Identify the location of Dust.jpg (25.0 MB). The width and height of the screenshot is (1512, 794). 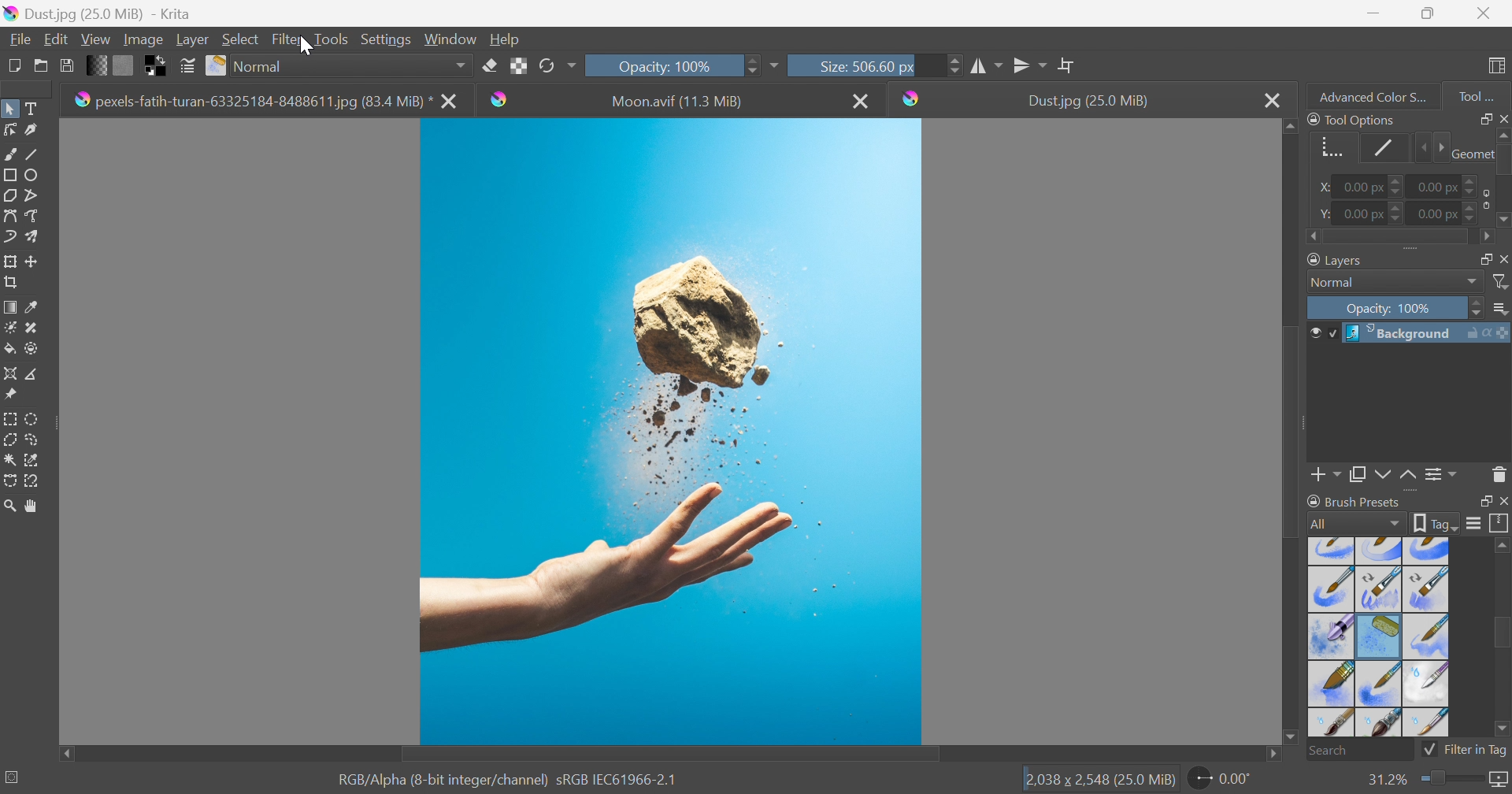
(1088, 101).